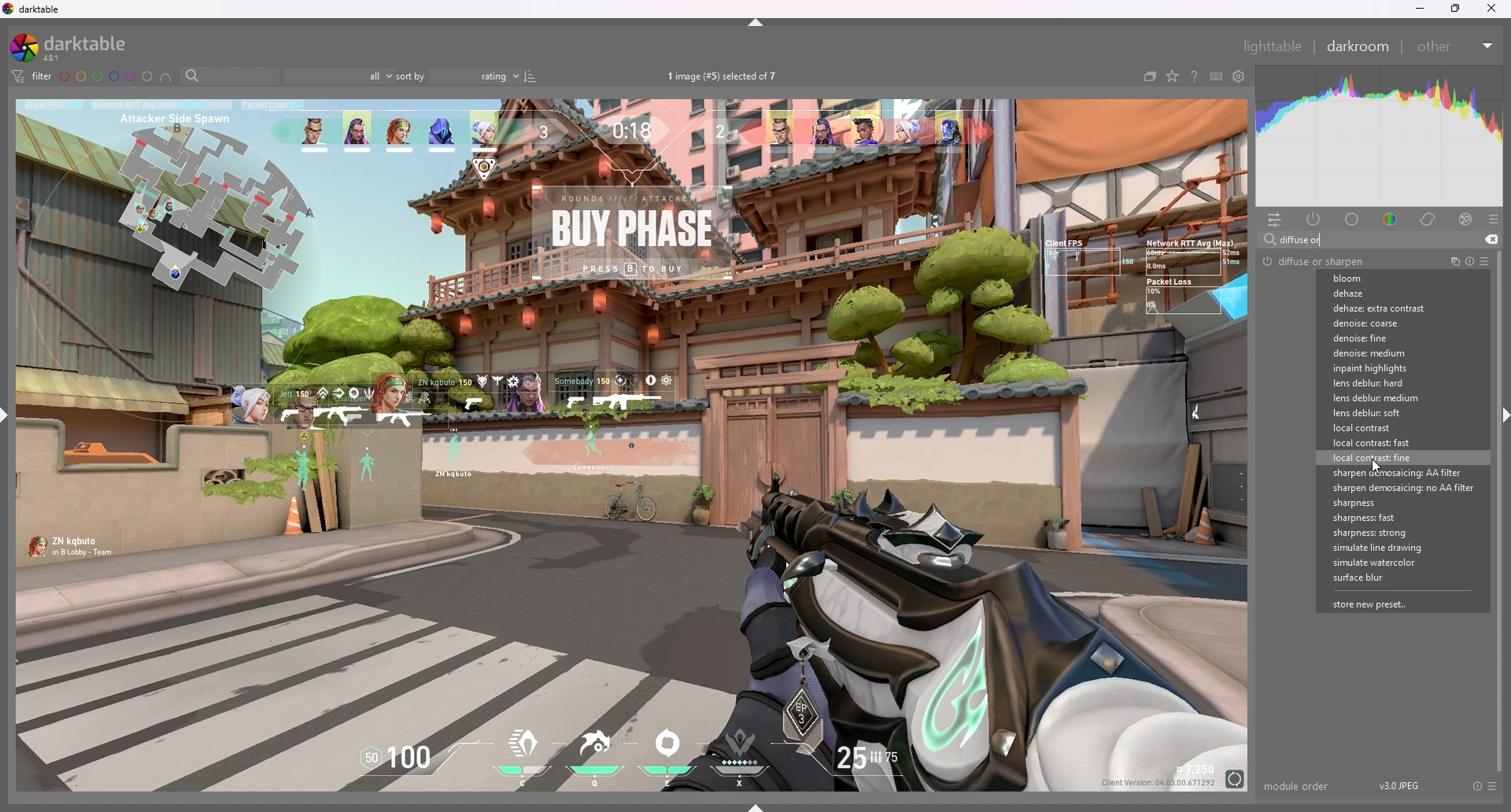 The width and height of the screenshot is (1511, 812). What do you see at coordinates (1217, 76) in the screenshot?
I see `keyboard shortcut` at bounding box center [1217, 76].